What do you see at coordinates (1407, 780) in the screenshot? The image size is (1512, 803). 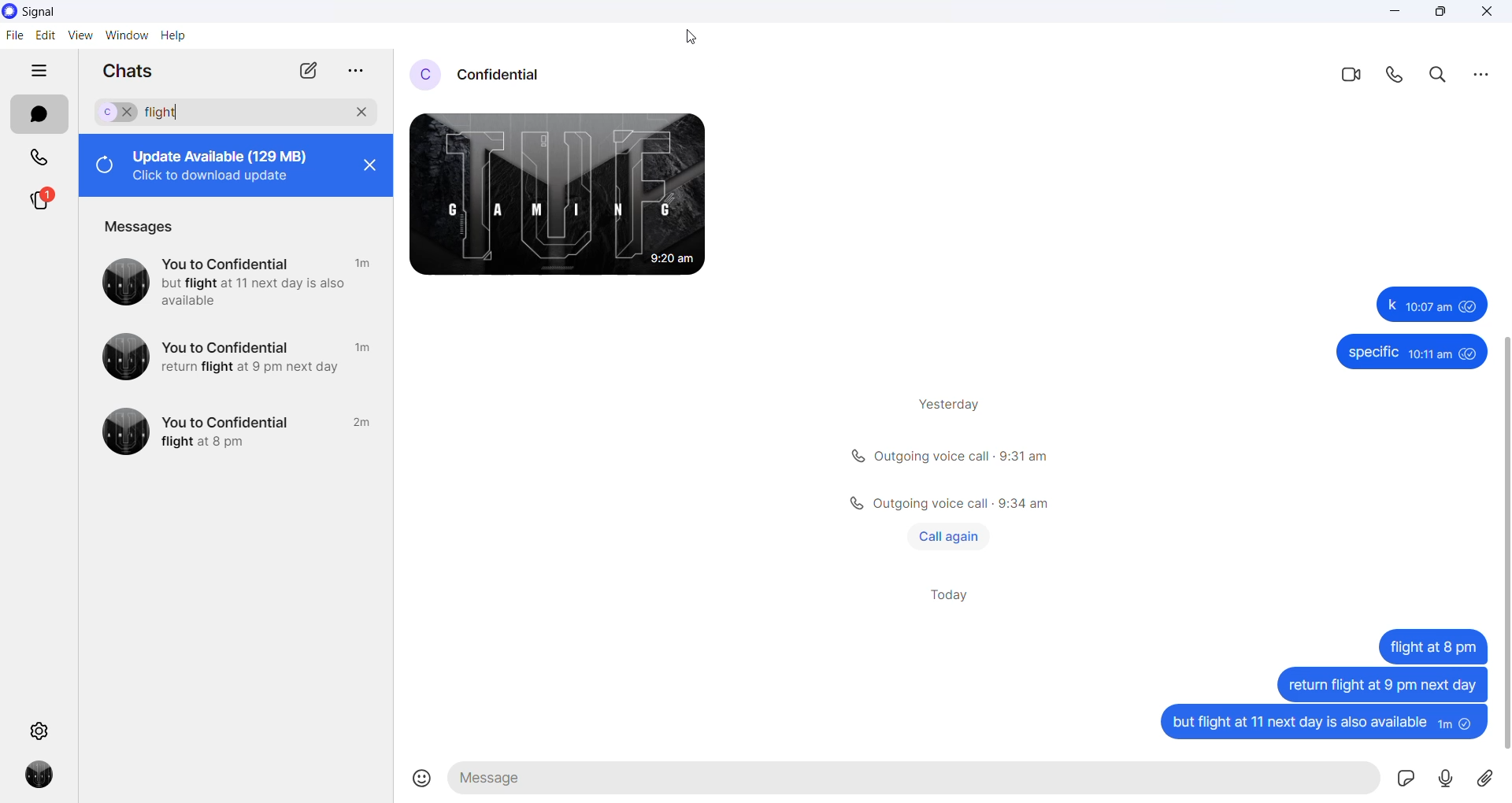 I see `sticker` at bounding box center [1407, 780].